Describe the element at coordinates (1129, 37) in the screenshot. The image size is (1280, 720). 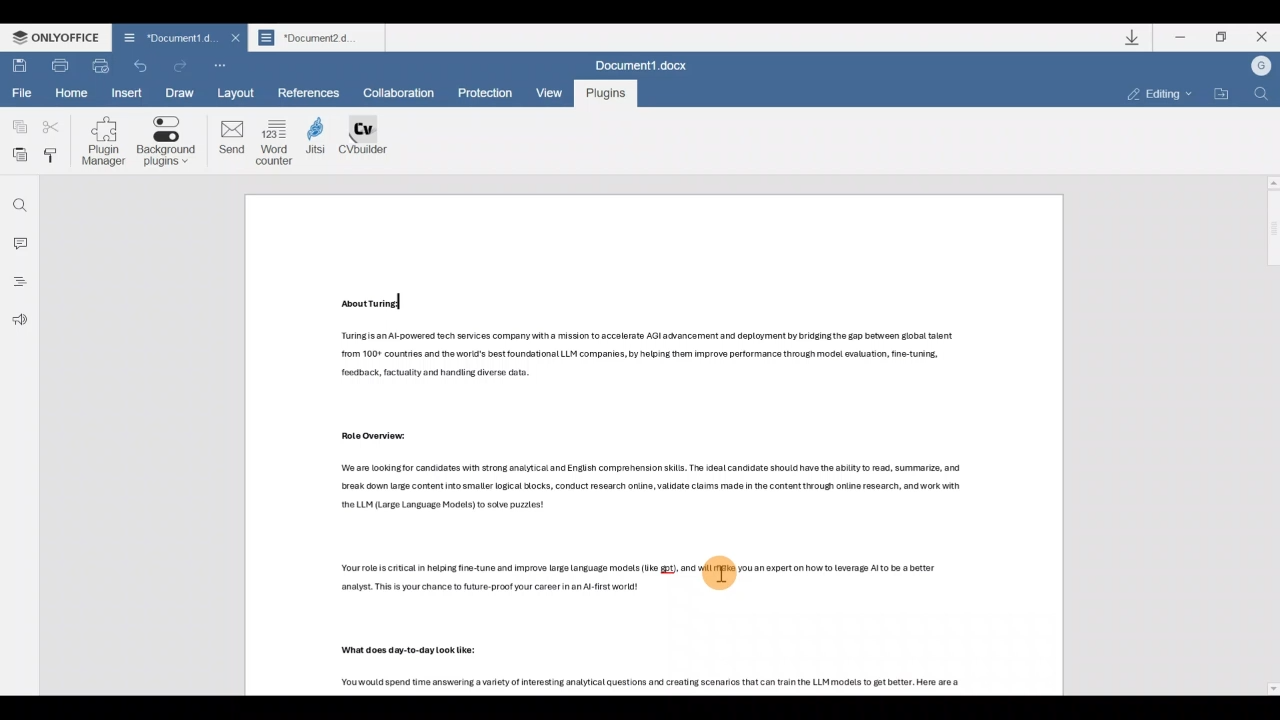
I see `Downloads` at that location.